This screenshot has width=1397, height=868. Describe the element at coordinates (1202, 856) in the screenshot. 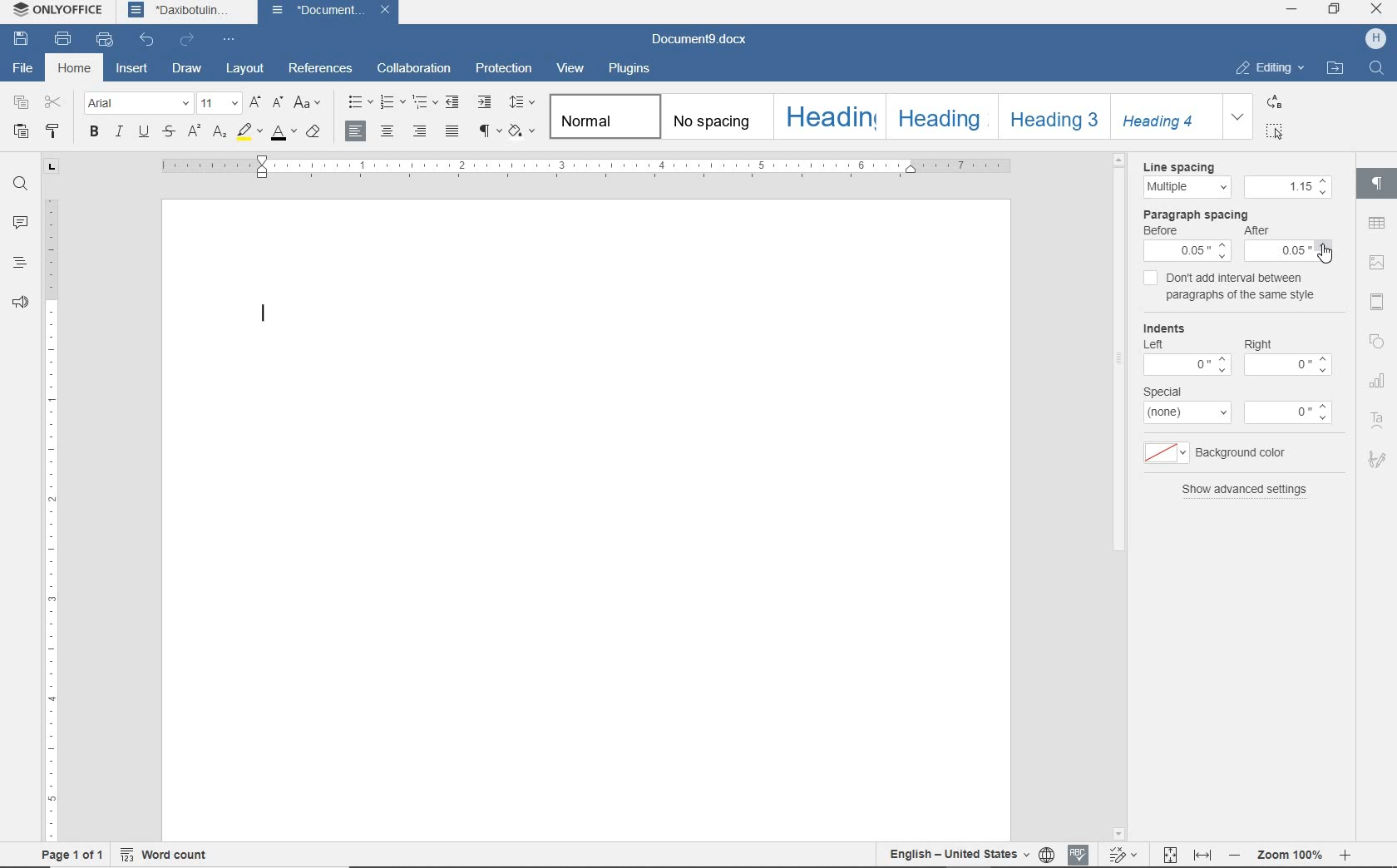

I see `fit to width` at that location.